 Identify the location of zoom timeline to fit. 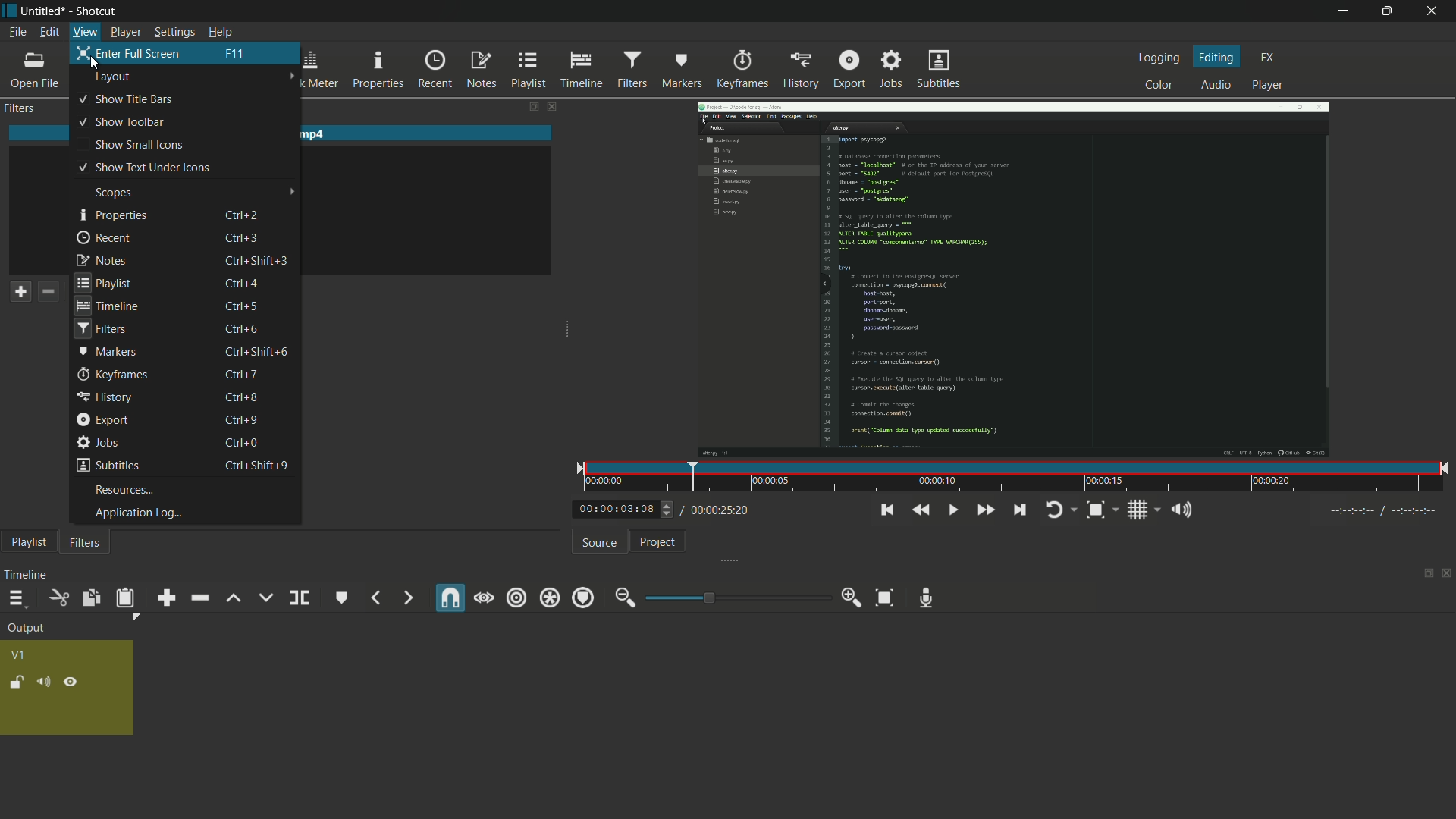
(1097, 510).